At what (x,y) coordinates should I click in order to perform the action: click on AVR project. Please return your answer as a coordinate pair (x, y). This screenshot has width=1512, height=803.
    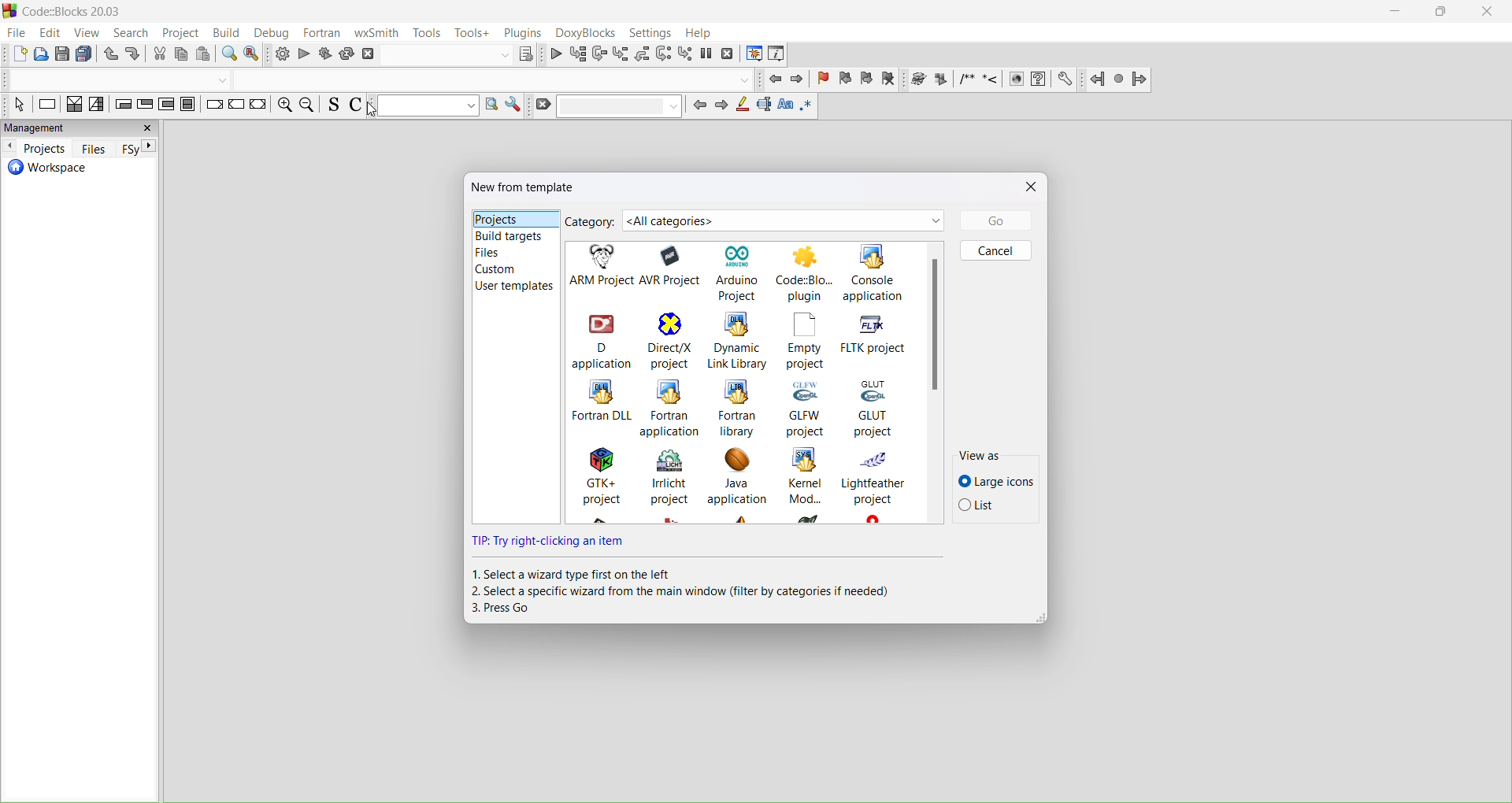
    Looking at the image, I should click on (674, 267).